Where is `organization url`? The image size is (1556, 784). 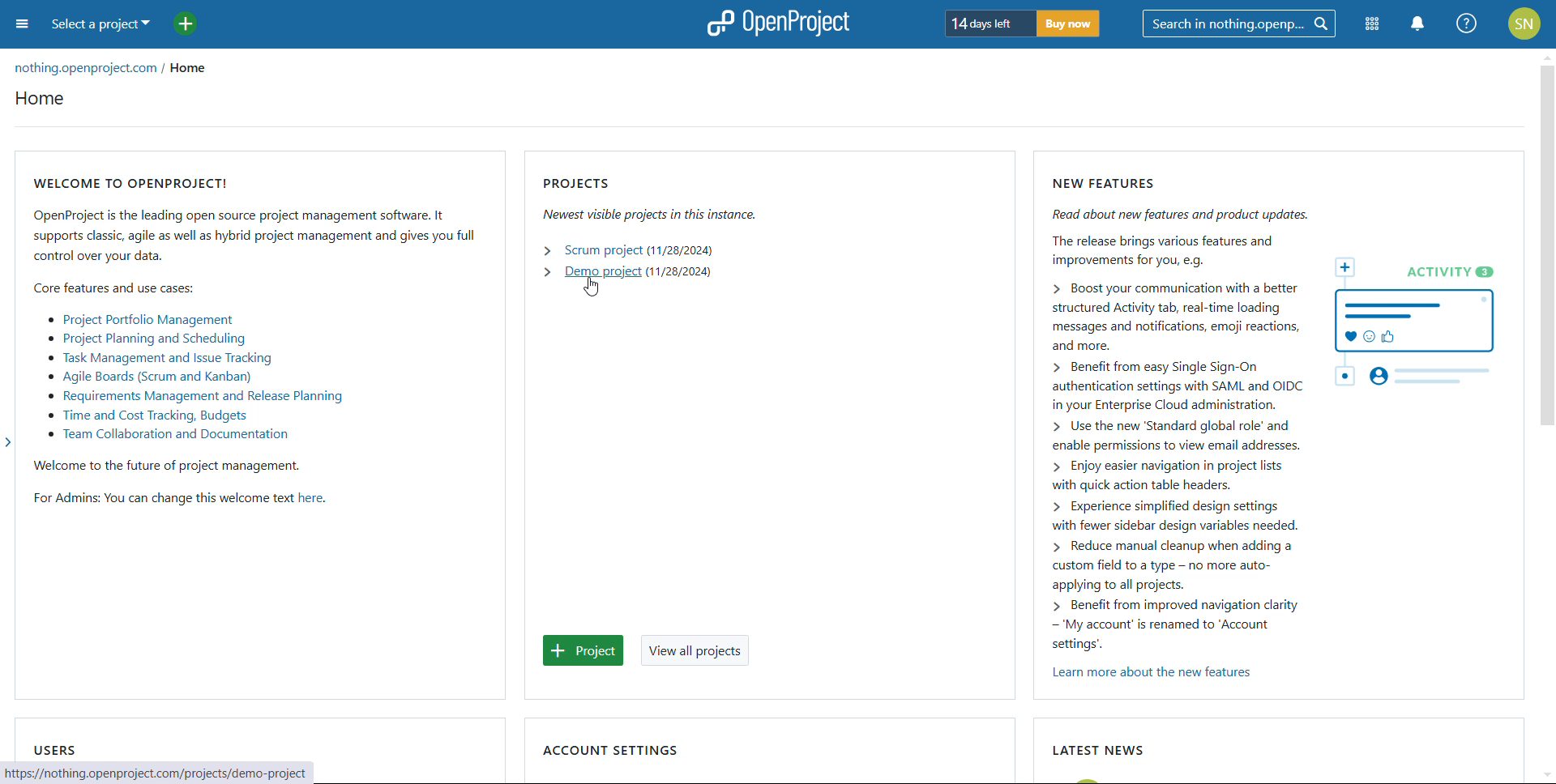 organization url is located at coordinates (83, 69).